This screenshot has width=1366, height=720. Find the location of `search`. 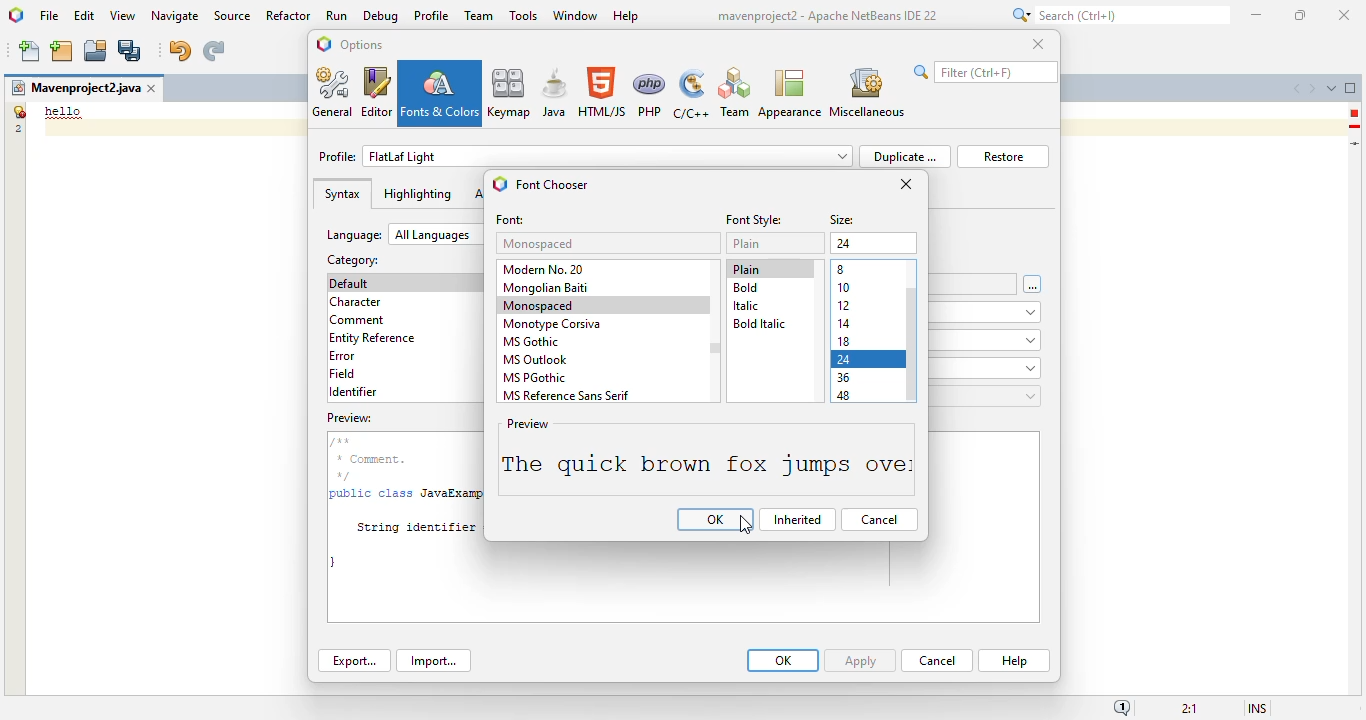

search is located at coordinates (985, 72).